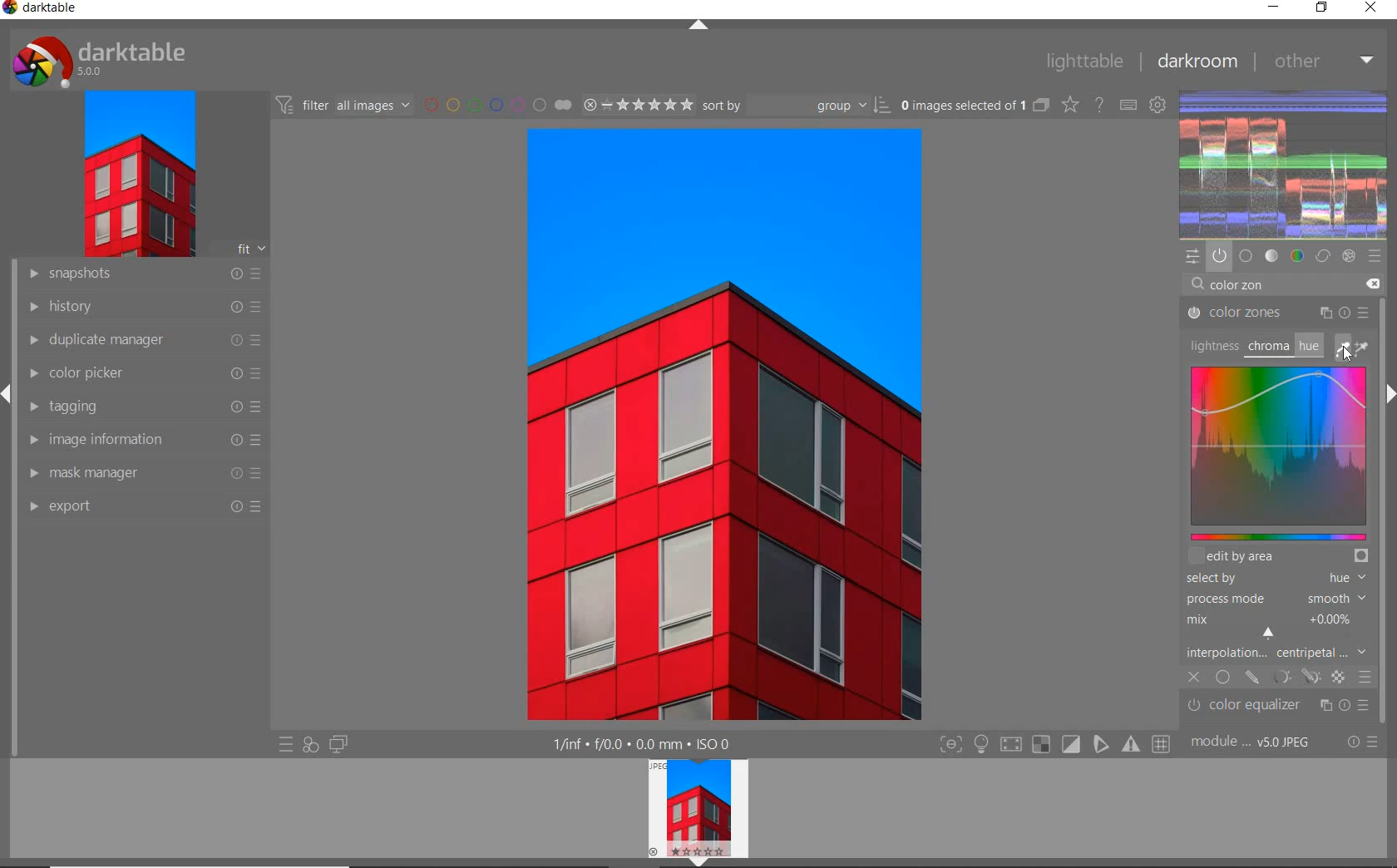  Describe the element at coordinates (724, 426) in the screenshot. I see `selected image` at that location.